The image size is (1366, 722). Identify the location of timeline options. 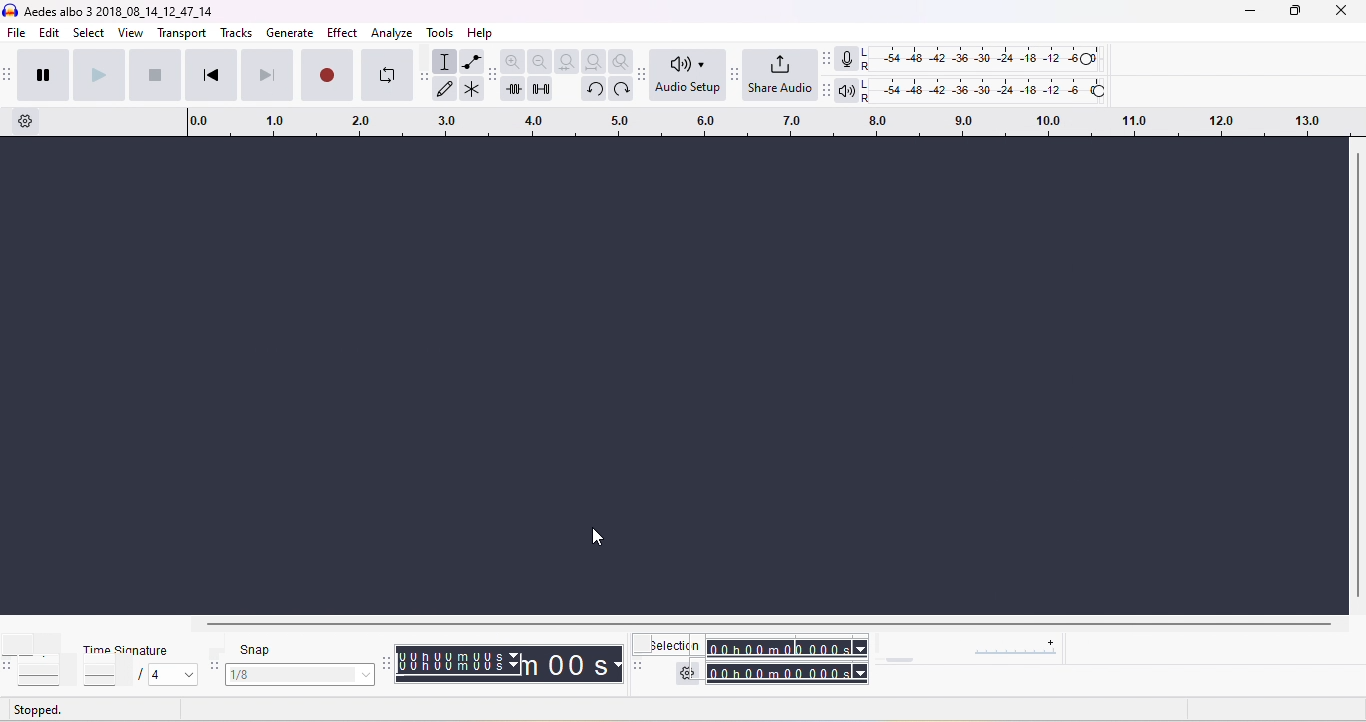
(26, 121).